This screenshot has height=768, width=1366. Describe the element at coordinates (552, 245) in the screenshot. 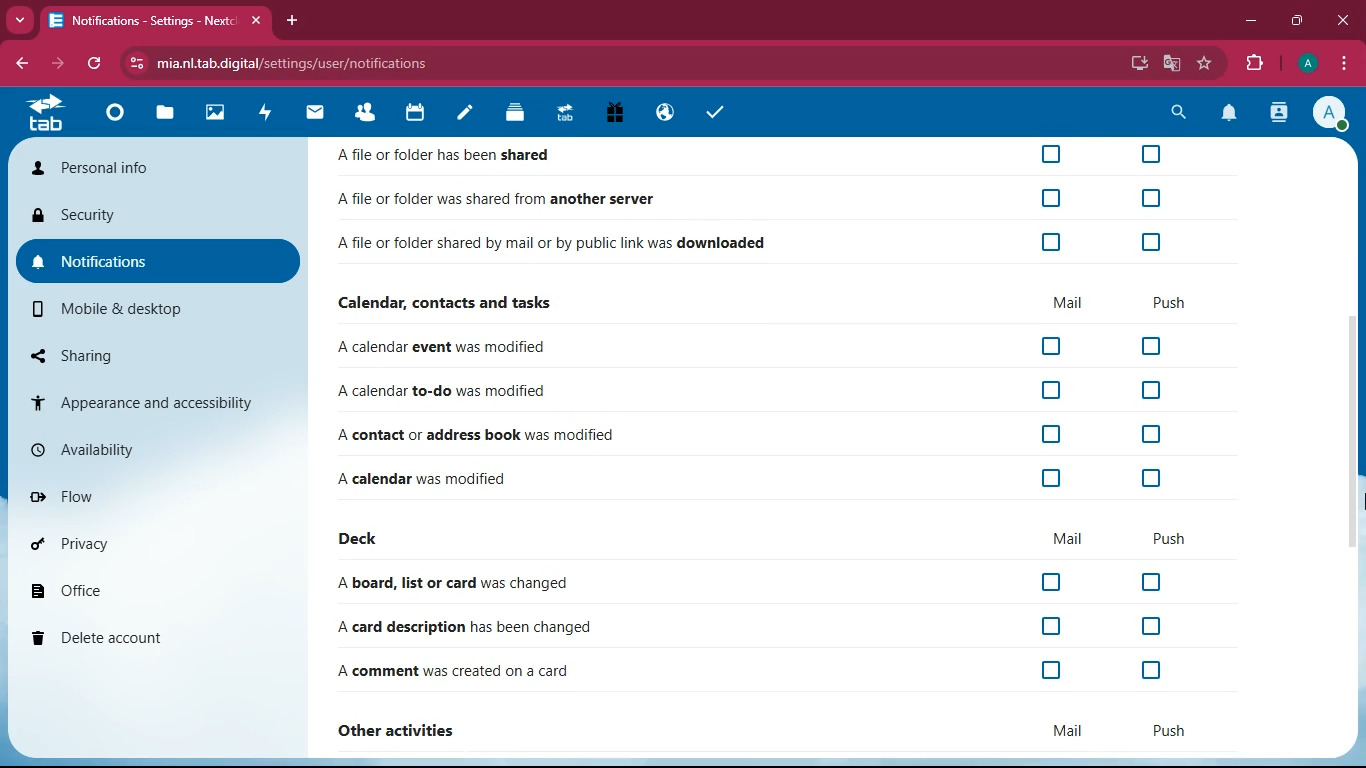

I see `Afile or folder shared by mail or by public link was downloaded` at that location.